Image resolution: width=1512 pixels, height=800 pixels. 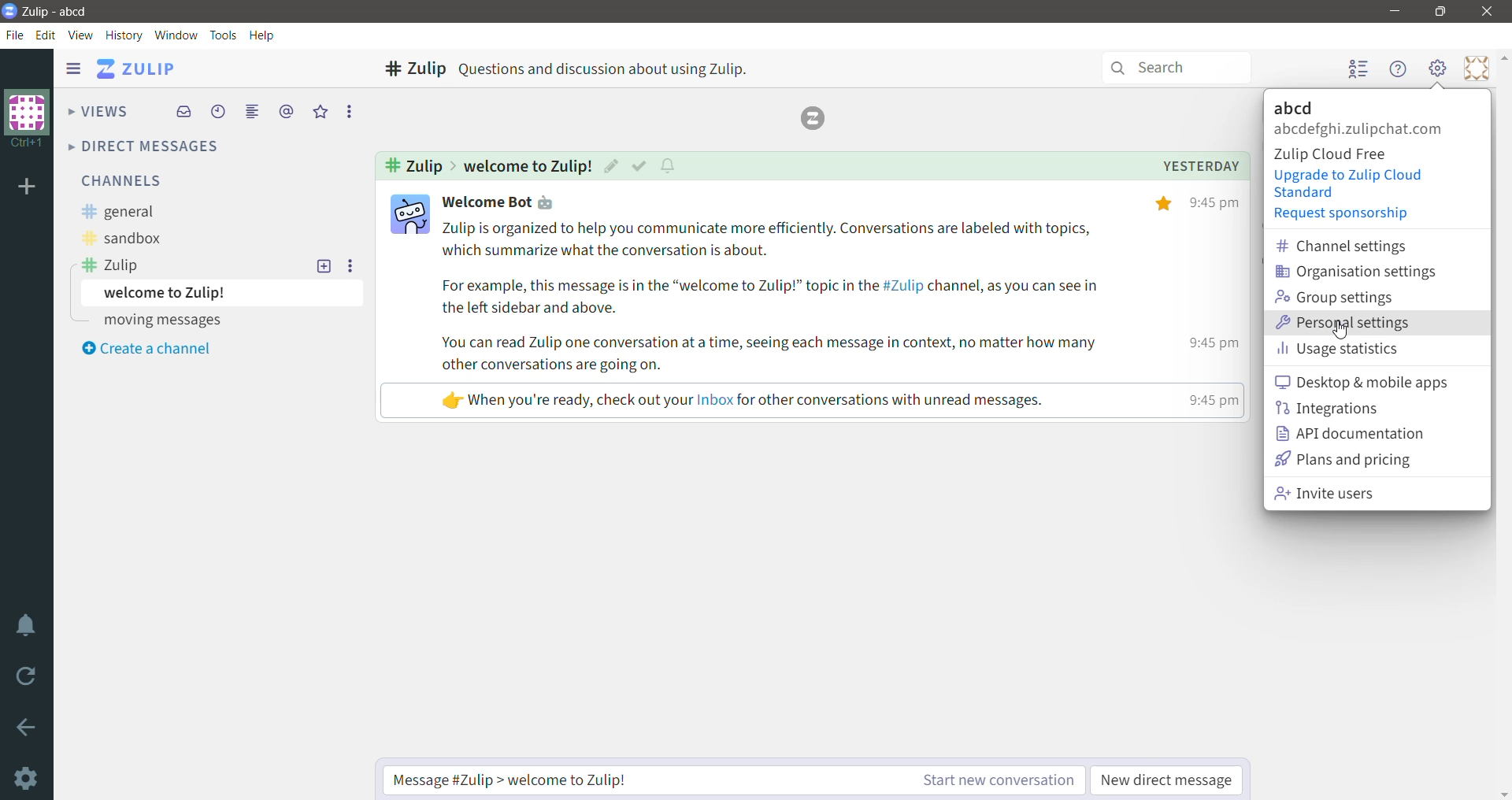 What do you see at coordinates (1169, 780) in the screenshot?
I see `New direct message` at bounding box center [1169, 780].